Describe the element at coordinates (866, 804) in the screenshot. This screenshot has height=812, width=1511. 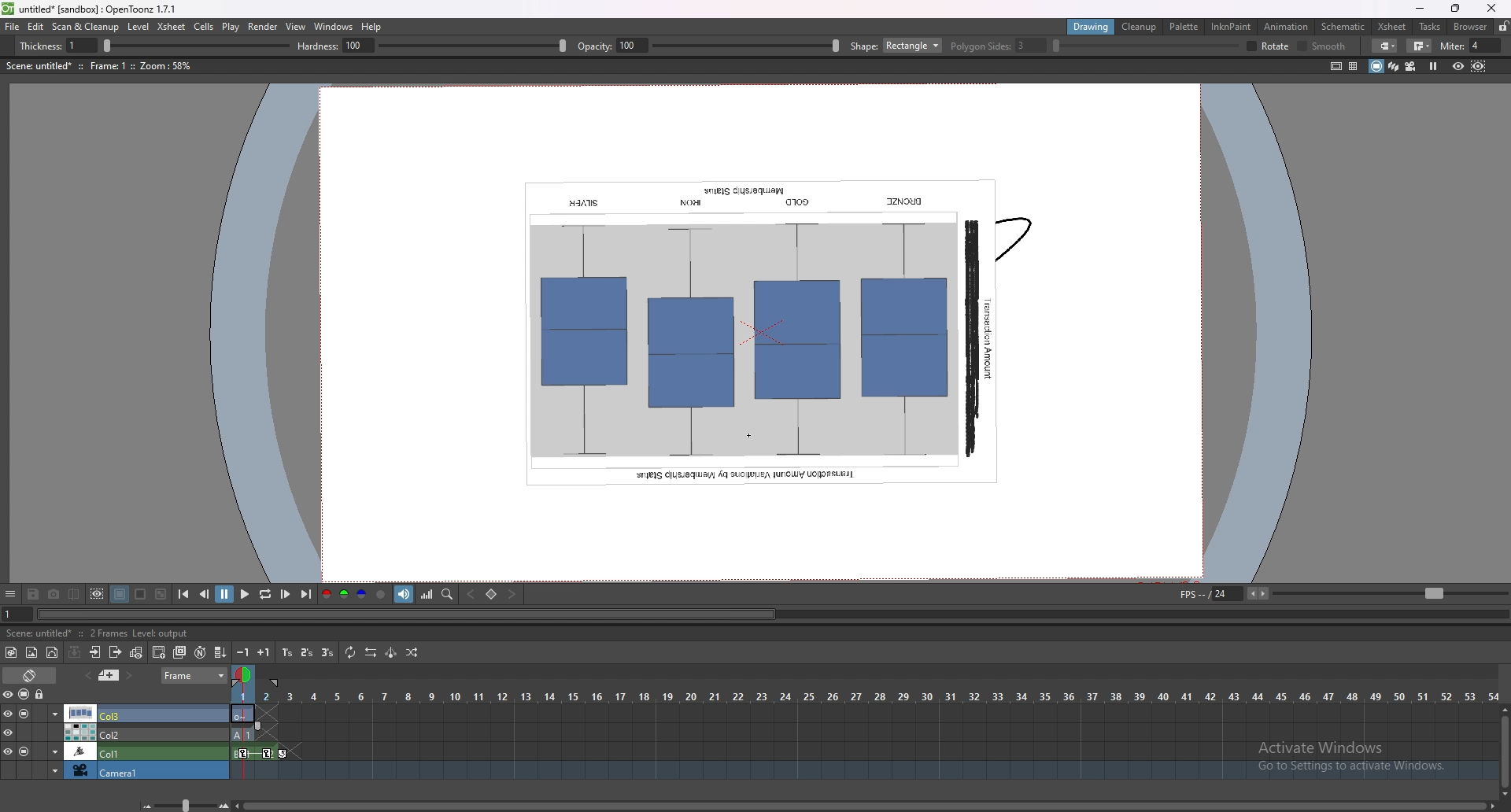
I see `scroll bar` at that location.